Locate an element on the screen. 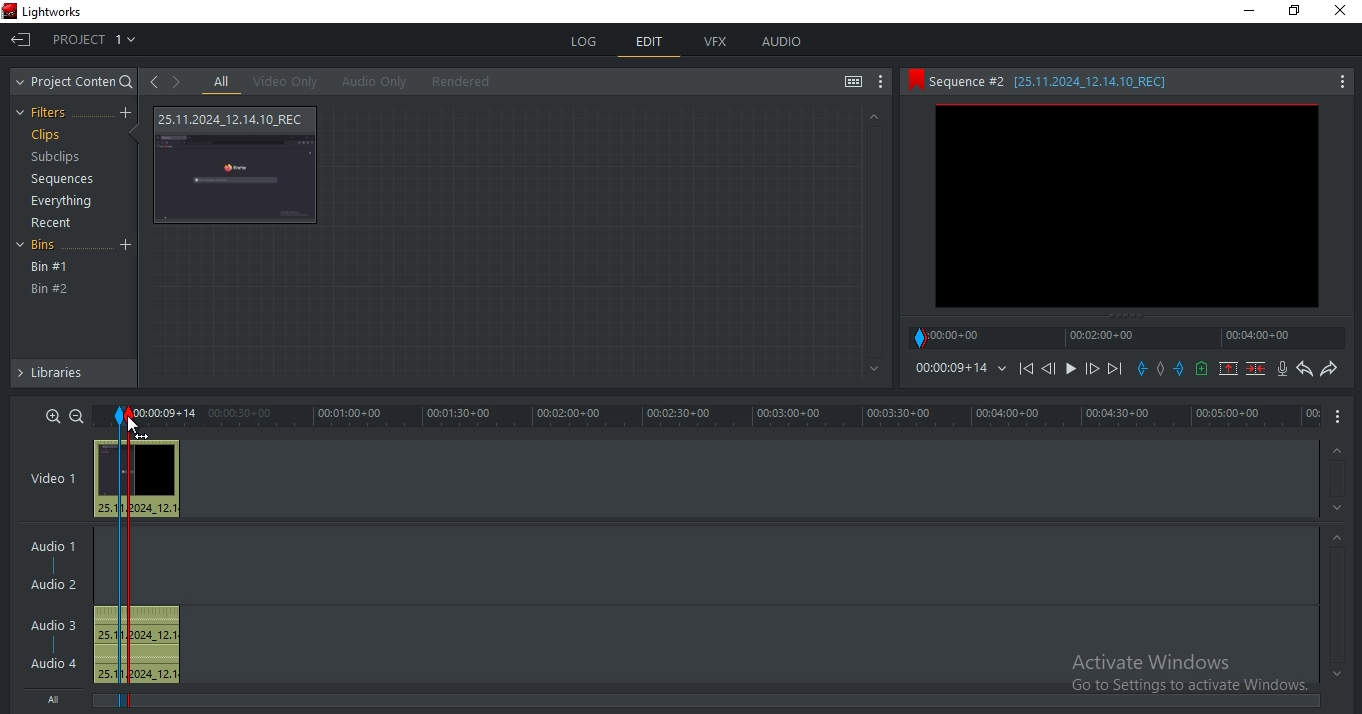  Forward is located at coordinates (1093, 369).